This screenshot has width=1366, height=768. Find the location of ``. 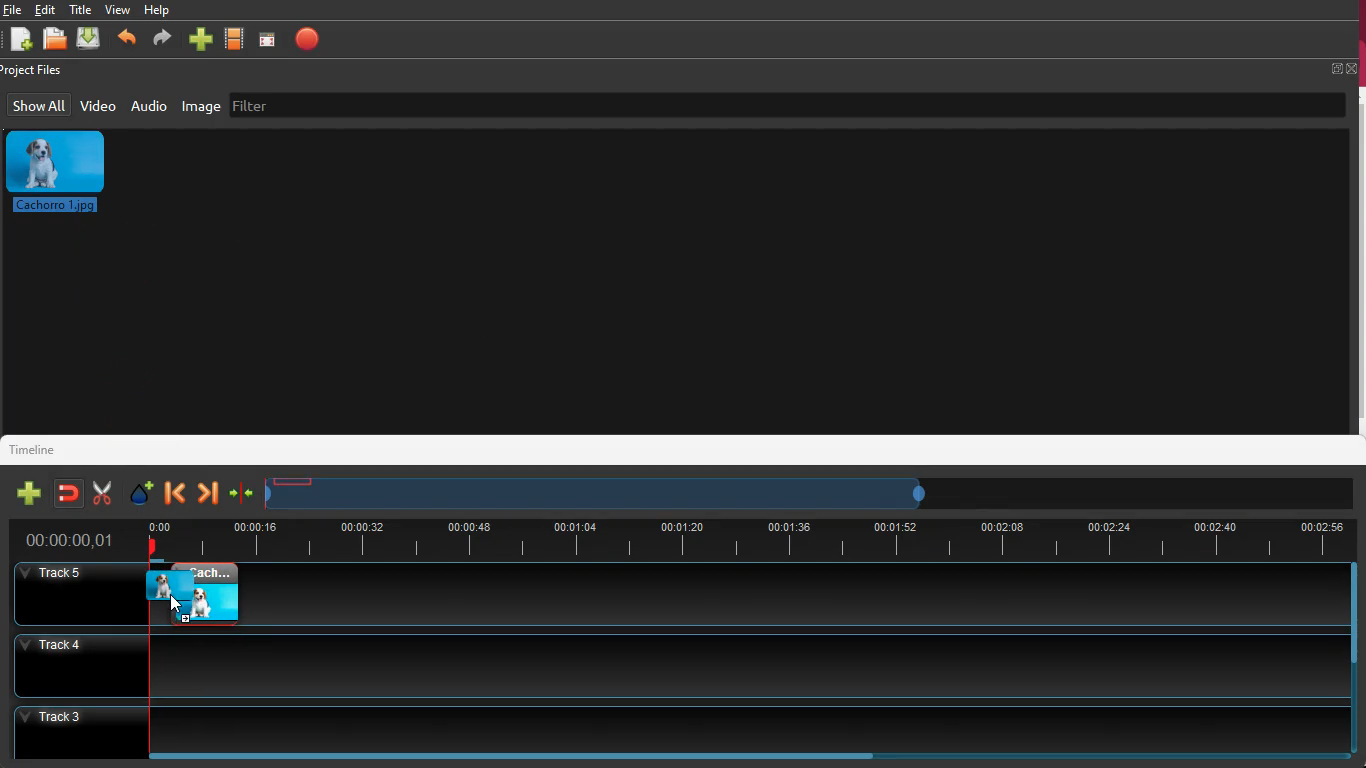

 is located at coordinates (71, 541).